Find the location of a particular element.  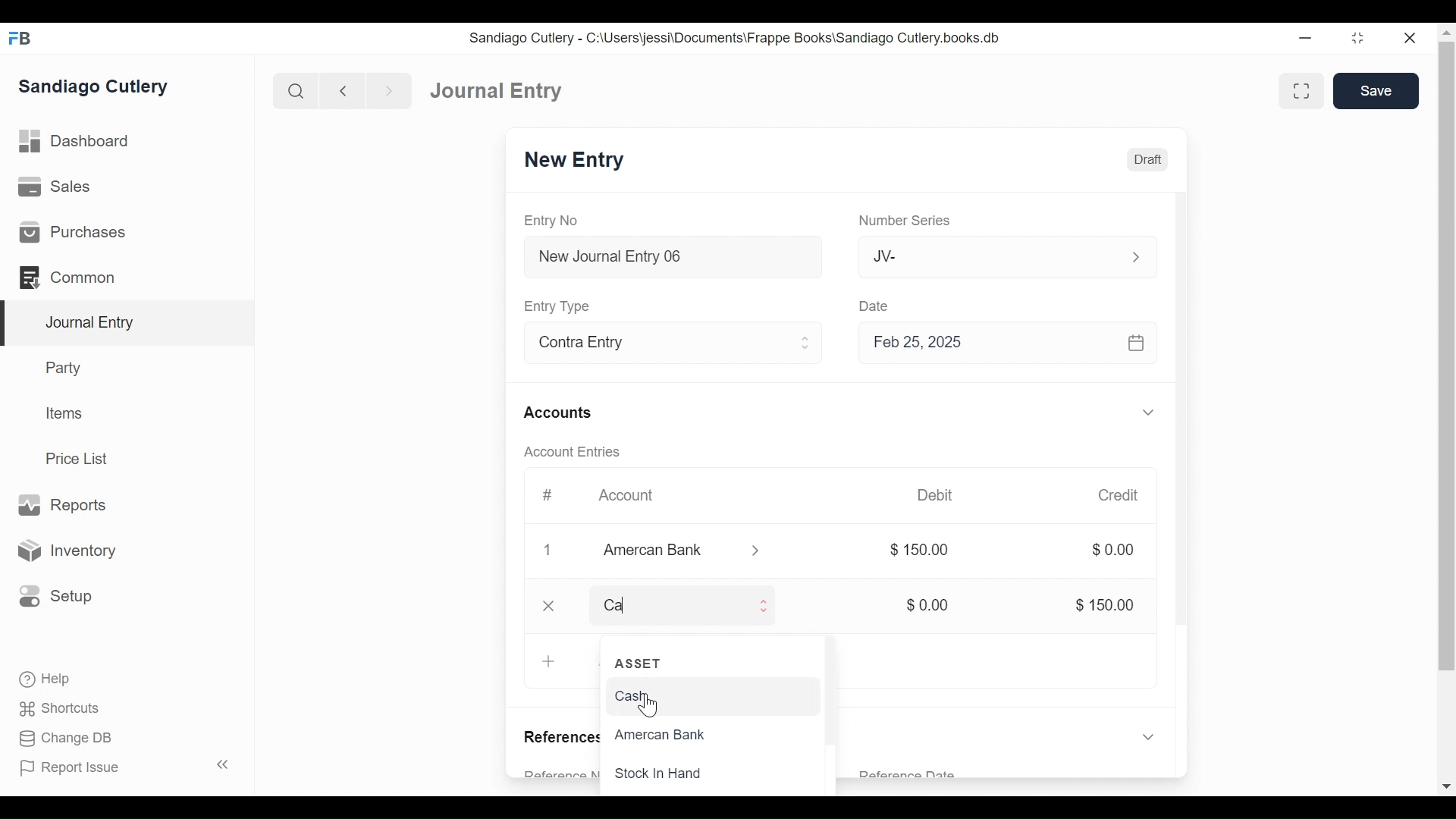

Accounts is located at coordinates (556, 413).